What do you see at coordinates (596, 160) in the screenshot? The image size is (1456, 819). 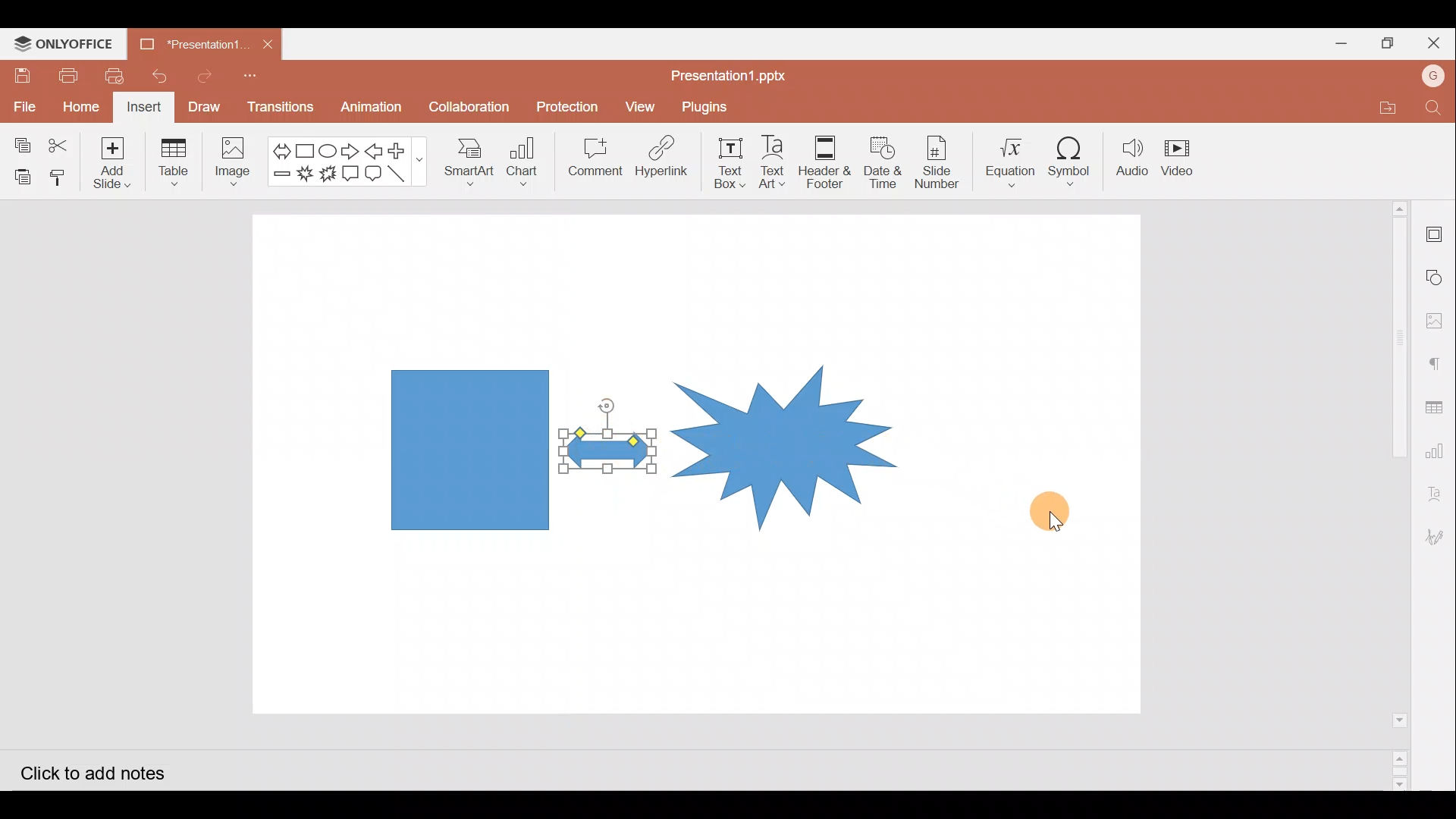 I see `Comment` at bounding box center [596, 160].